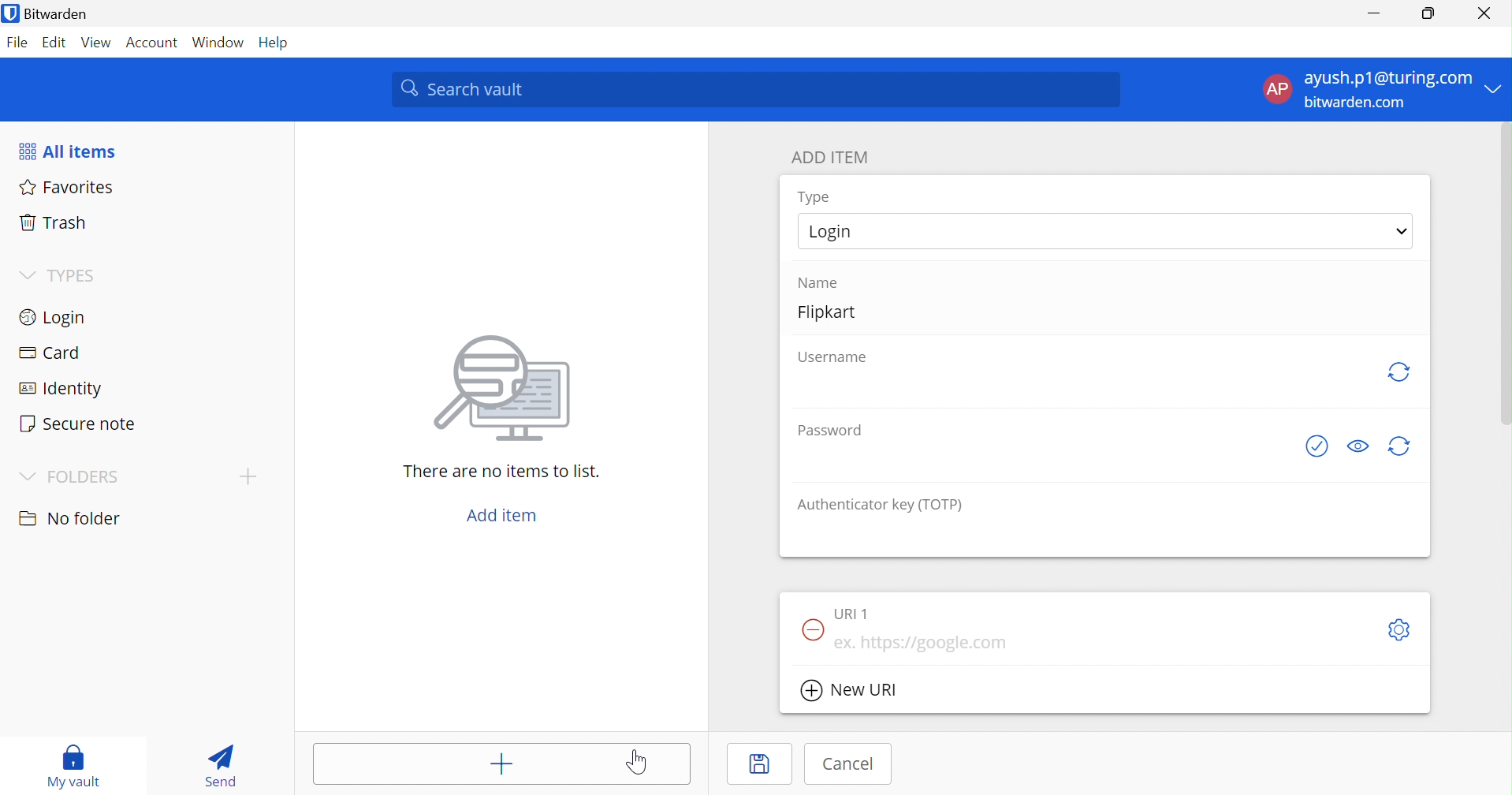 This screenshot has width=1512, height=795. What do you see at coordinates (1371, 13) in the screenshot?
I see `Minimize` at bounding box center [1371, 13].